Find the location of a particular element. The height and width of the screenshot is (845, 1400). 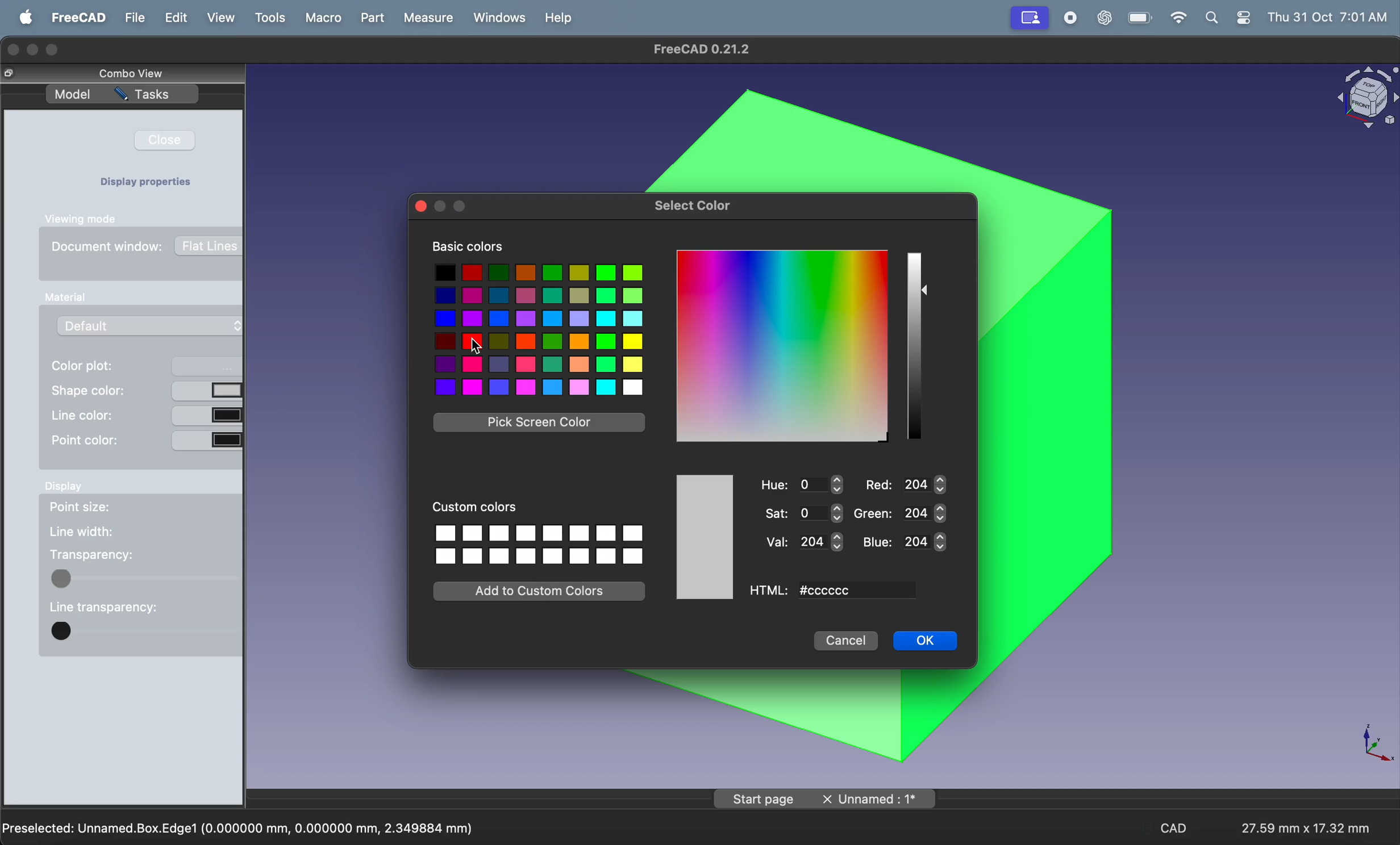

Html is located at coordinates (772, 589).